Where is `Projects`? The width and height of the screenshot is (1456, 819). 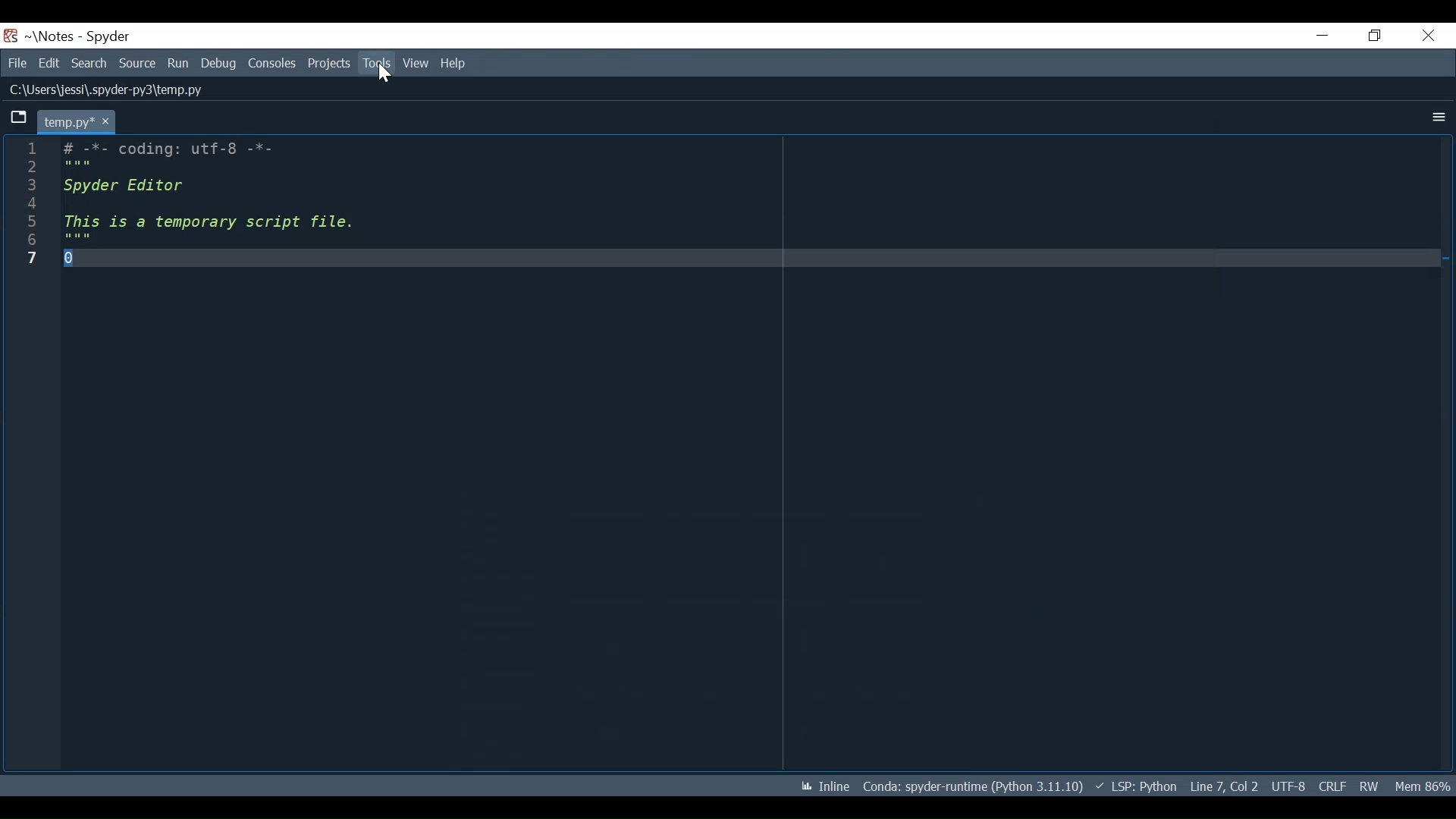 Projects is located at coordinates (328, 64).